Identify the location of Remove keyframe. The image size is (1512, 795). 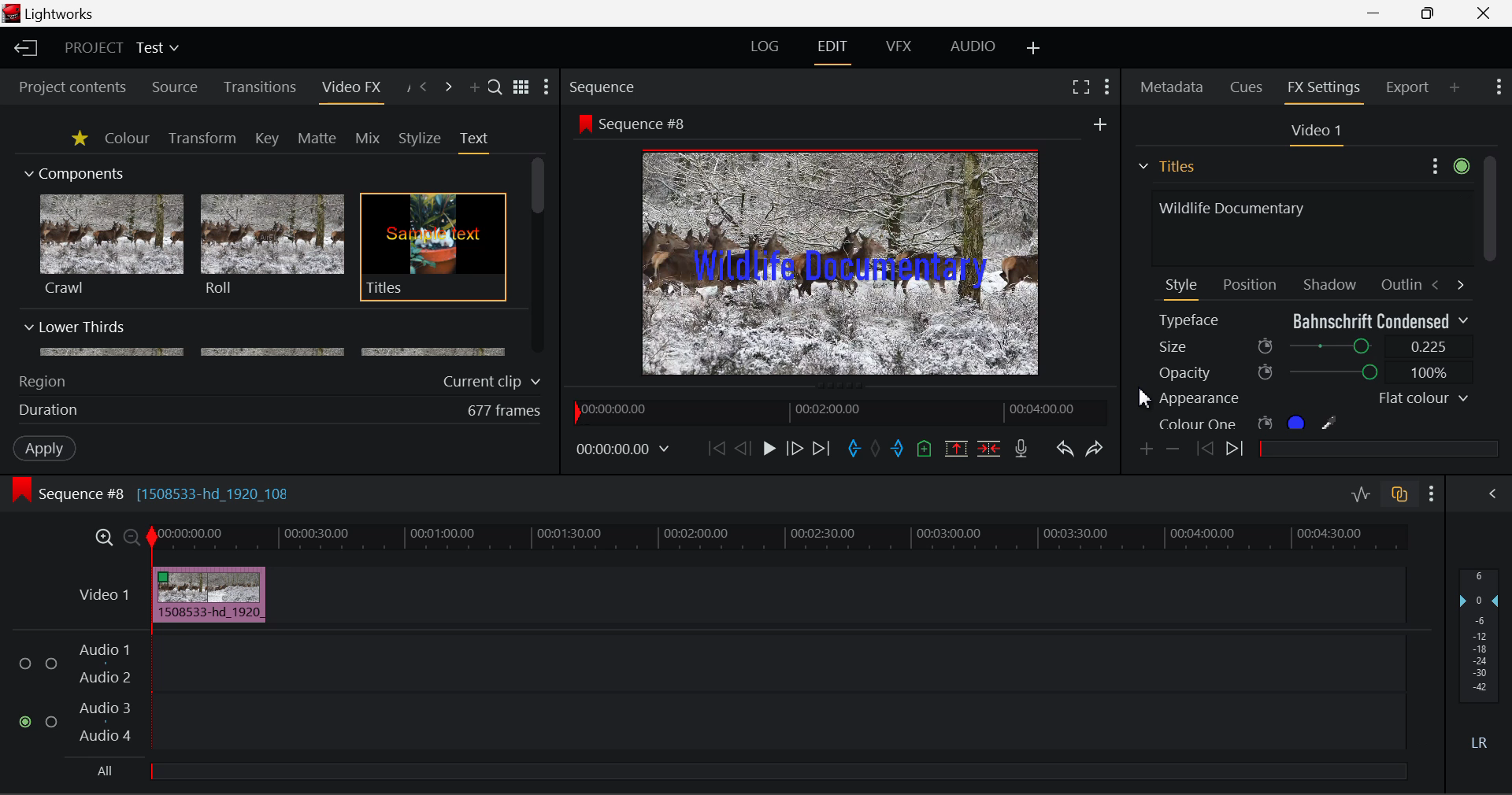
(1173, 451).